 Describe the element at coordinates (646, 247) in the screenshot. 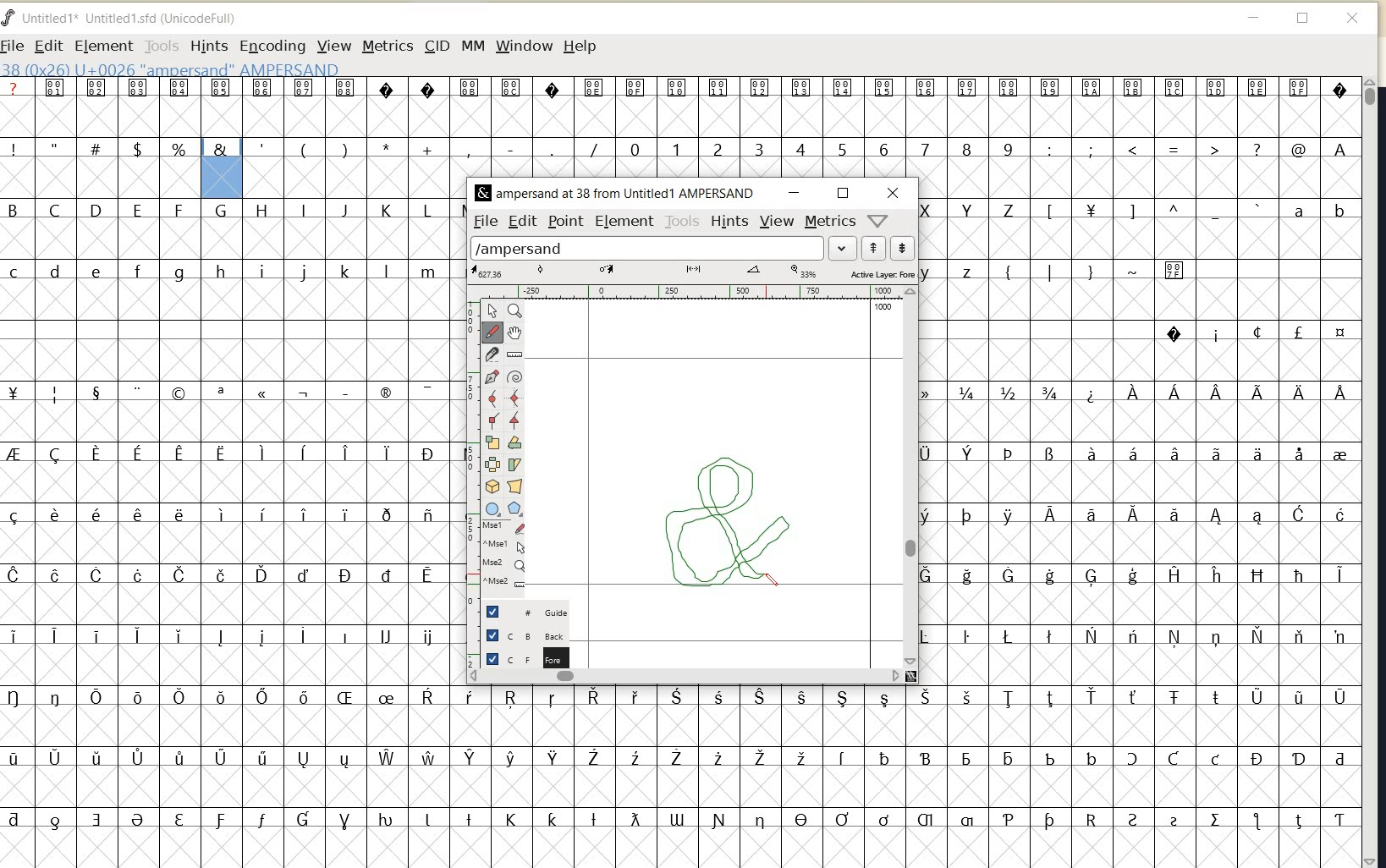

I see `load word list` at that location.